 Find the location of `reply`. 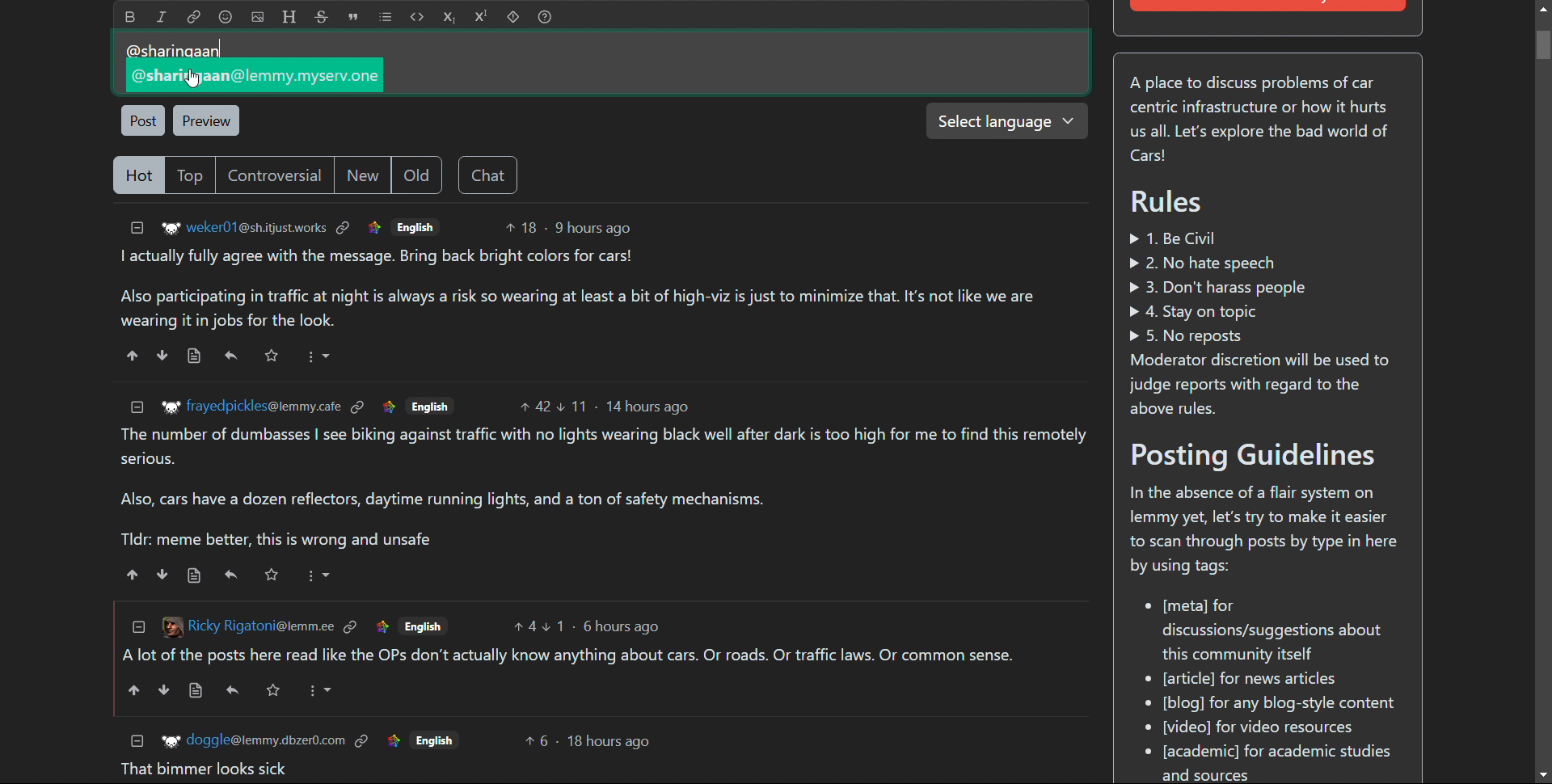

reply is located at coordinates (233, 689).